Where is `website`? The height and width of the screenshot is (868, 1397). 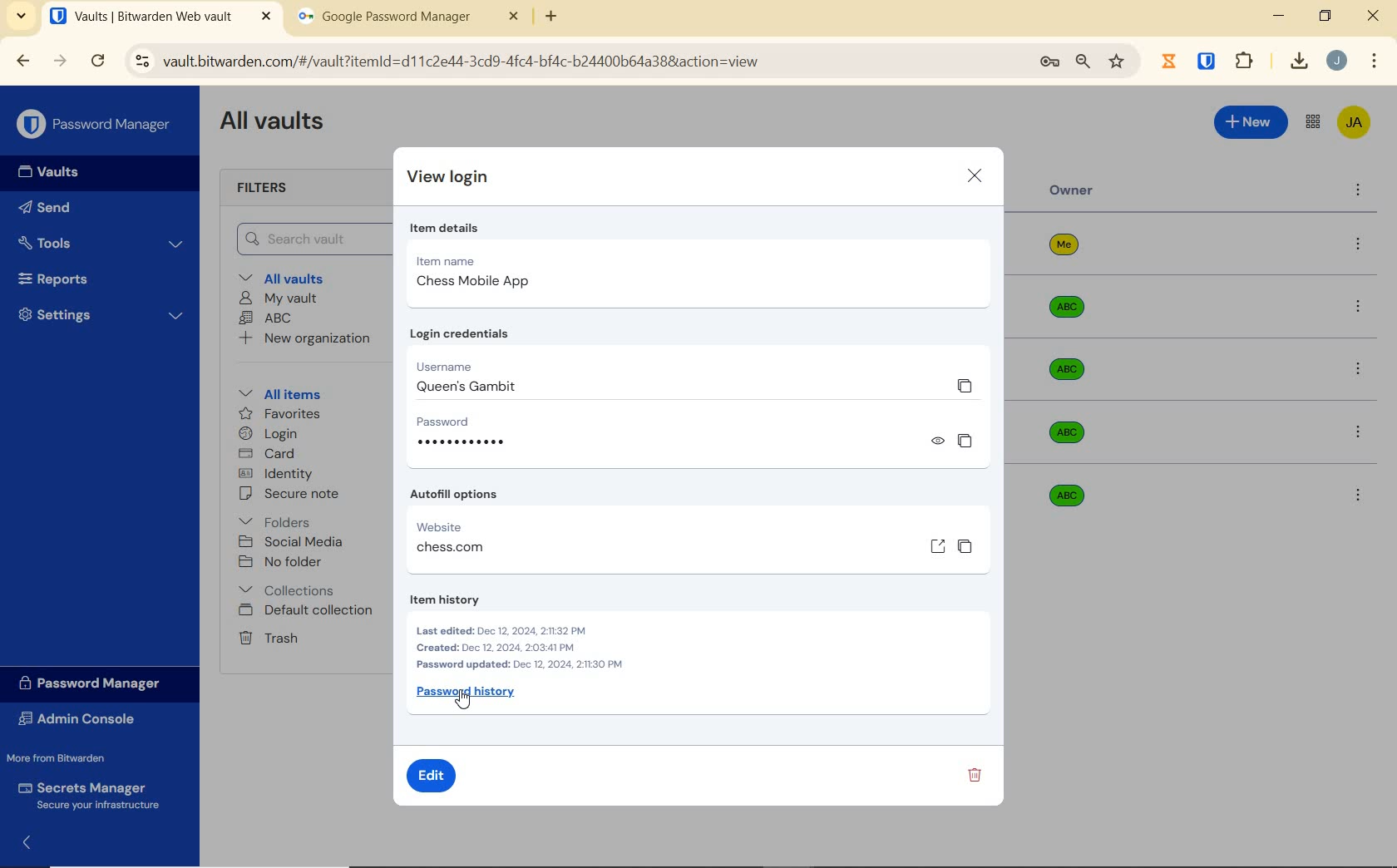
website is located at coordinates (457, 528).